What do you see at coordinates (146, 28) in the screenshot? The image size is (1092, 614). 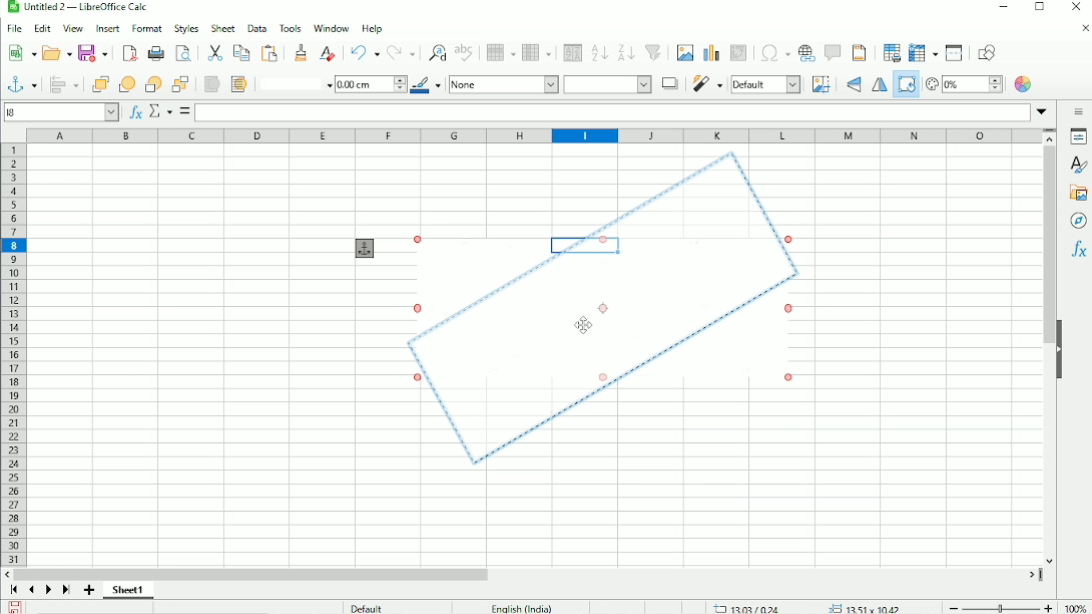 I see `Format` at bounding box center [146, 28].